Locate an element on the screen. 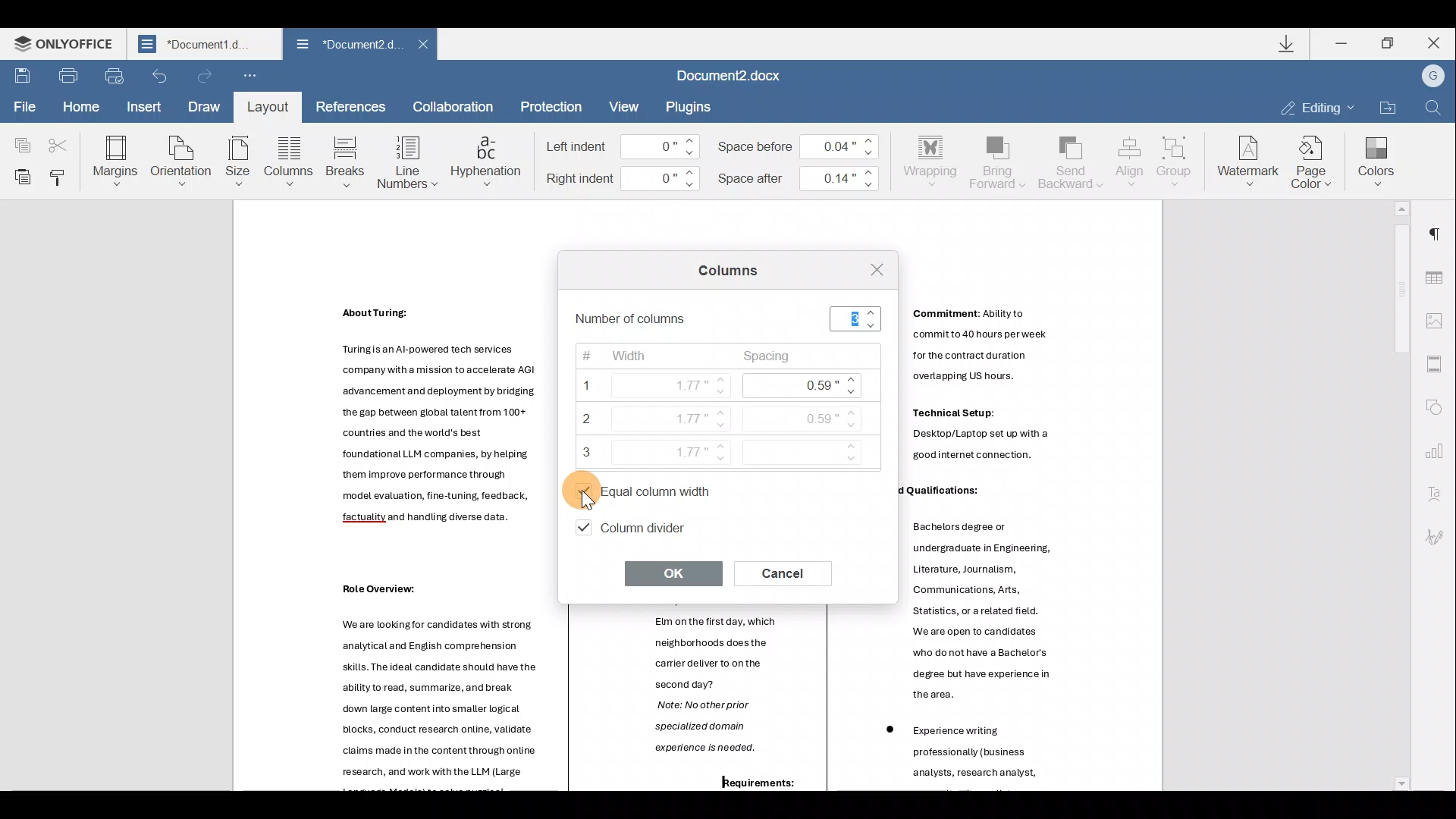 This screenshot has height=819, width=1456. Plugin is located at coordinates (701, 106).